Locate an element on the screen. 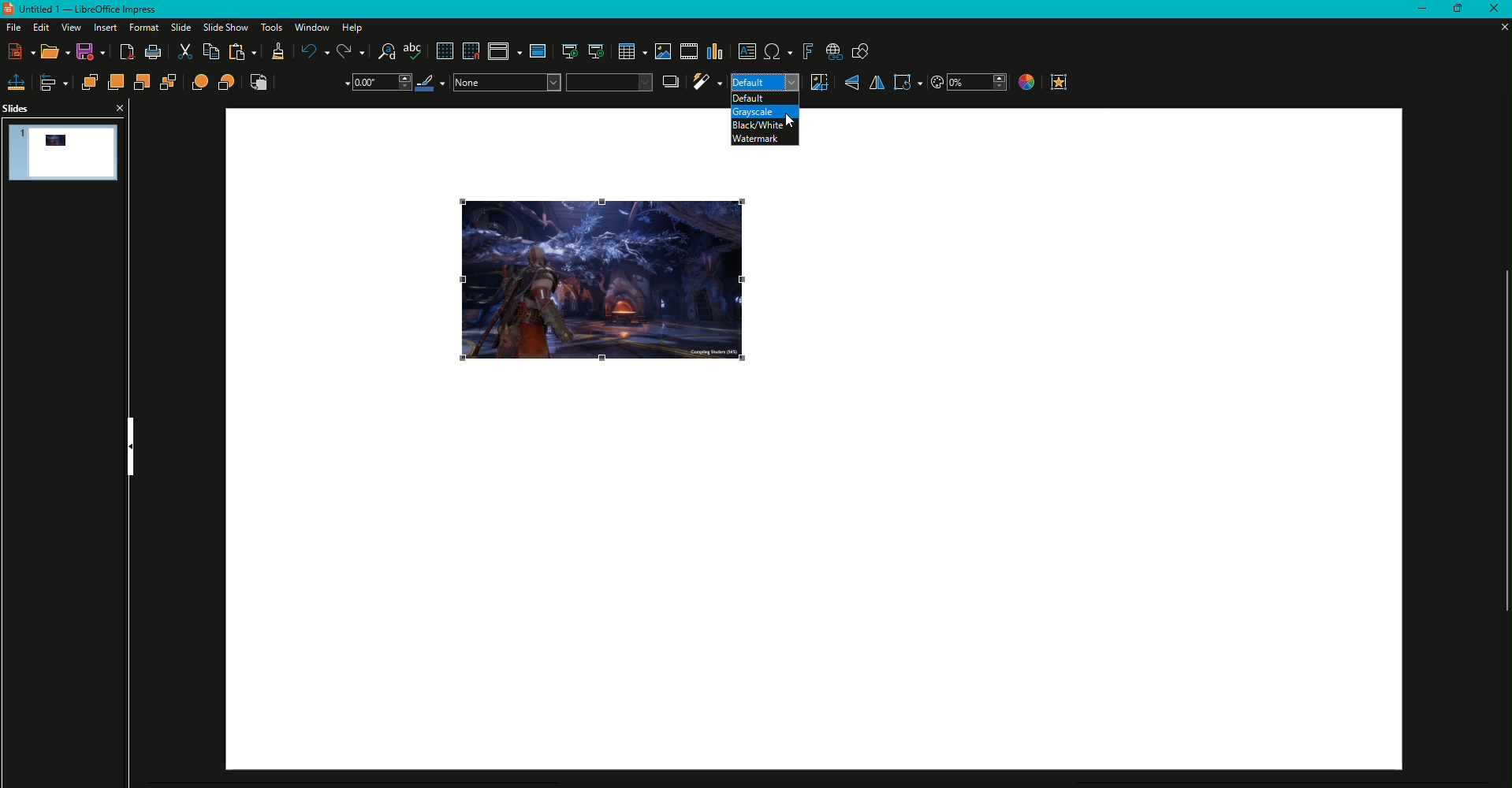  Insert is located at coordinates (102, 28).